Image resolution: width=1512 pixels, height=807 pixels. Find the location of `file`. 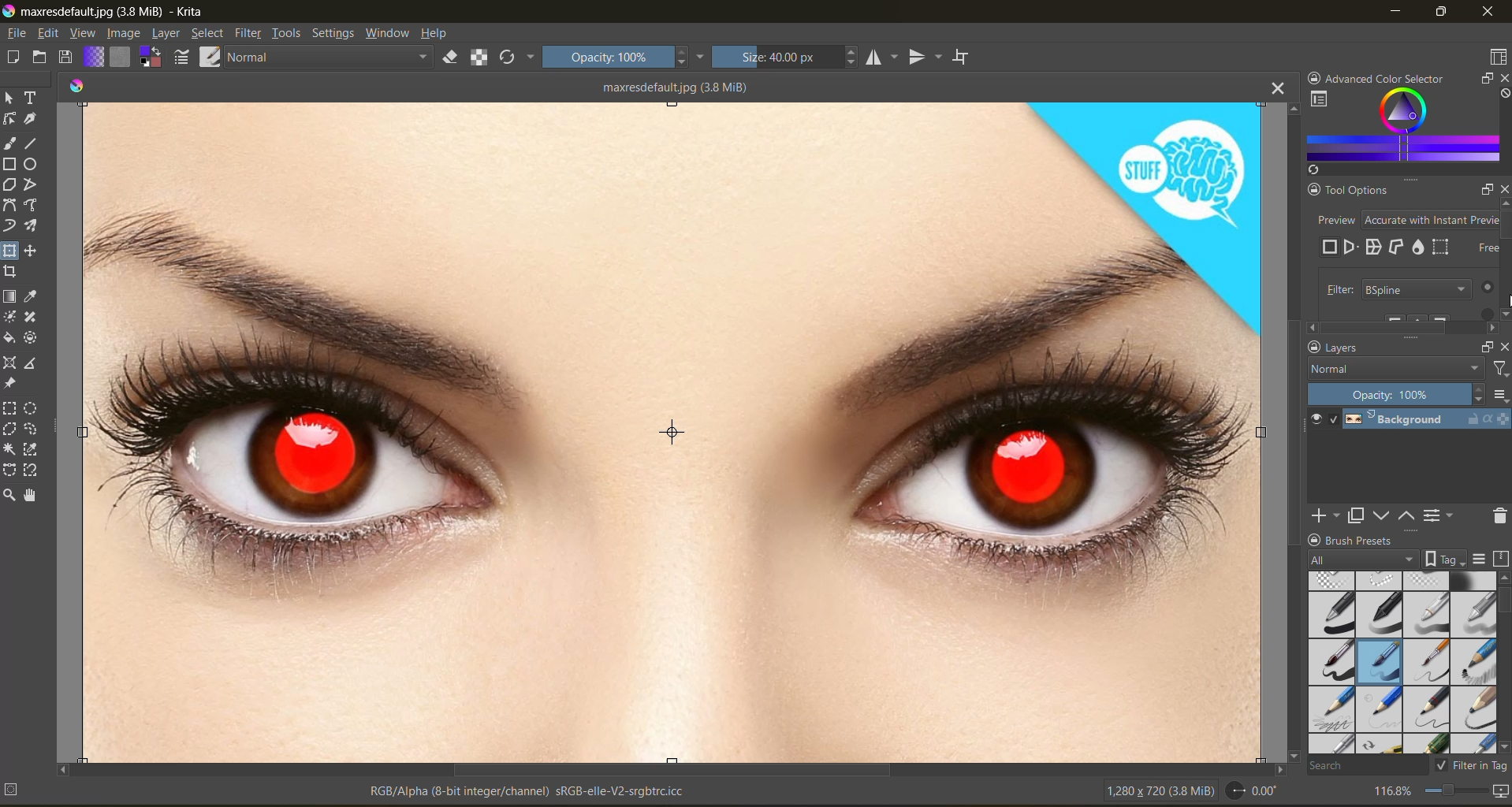

file is located at coordinates (14, 33).